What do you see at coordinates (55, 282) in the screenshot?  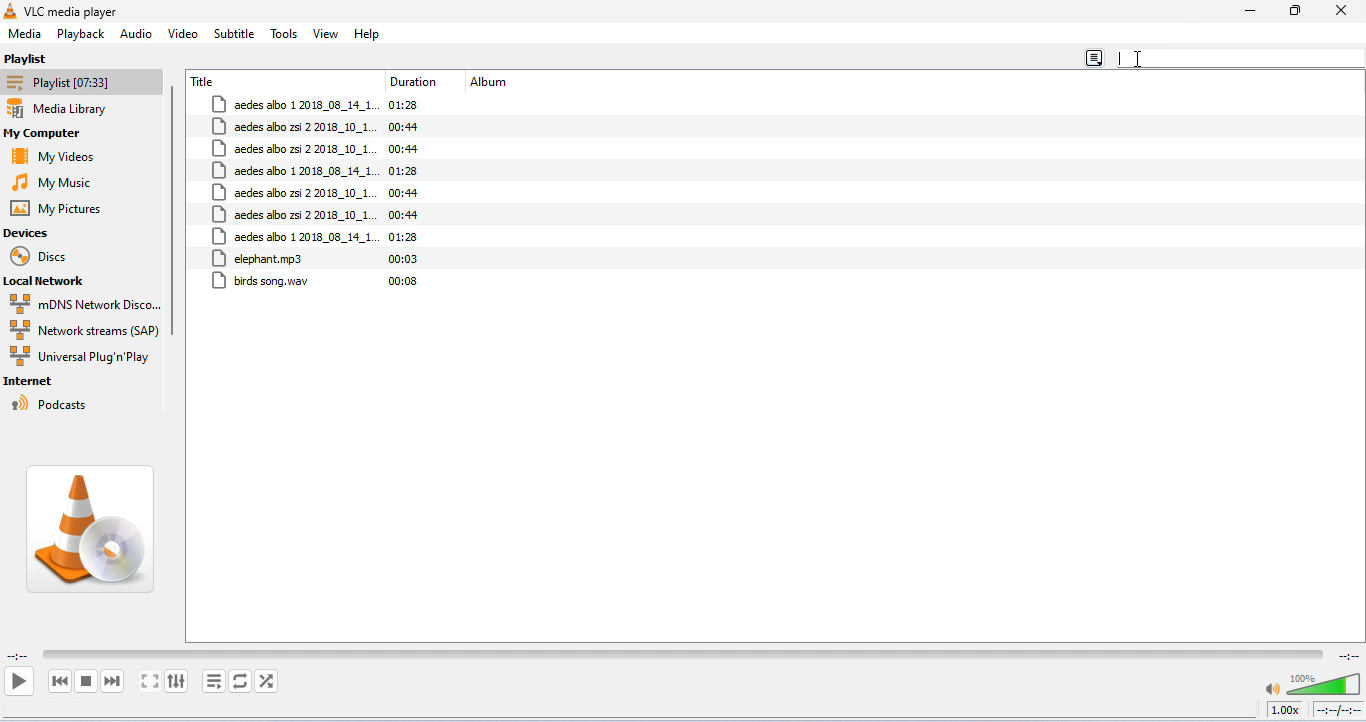 I see `local network` at bounding box center [55, 282].